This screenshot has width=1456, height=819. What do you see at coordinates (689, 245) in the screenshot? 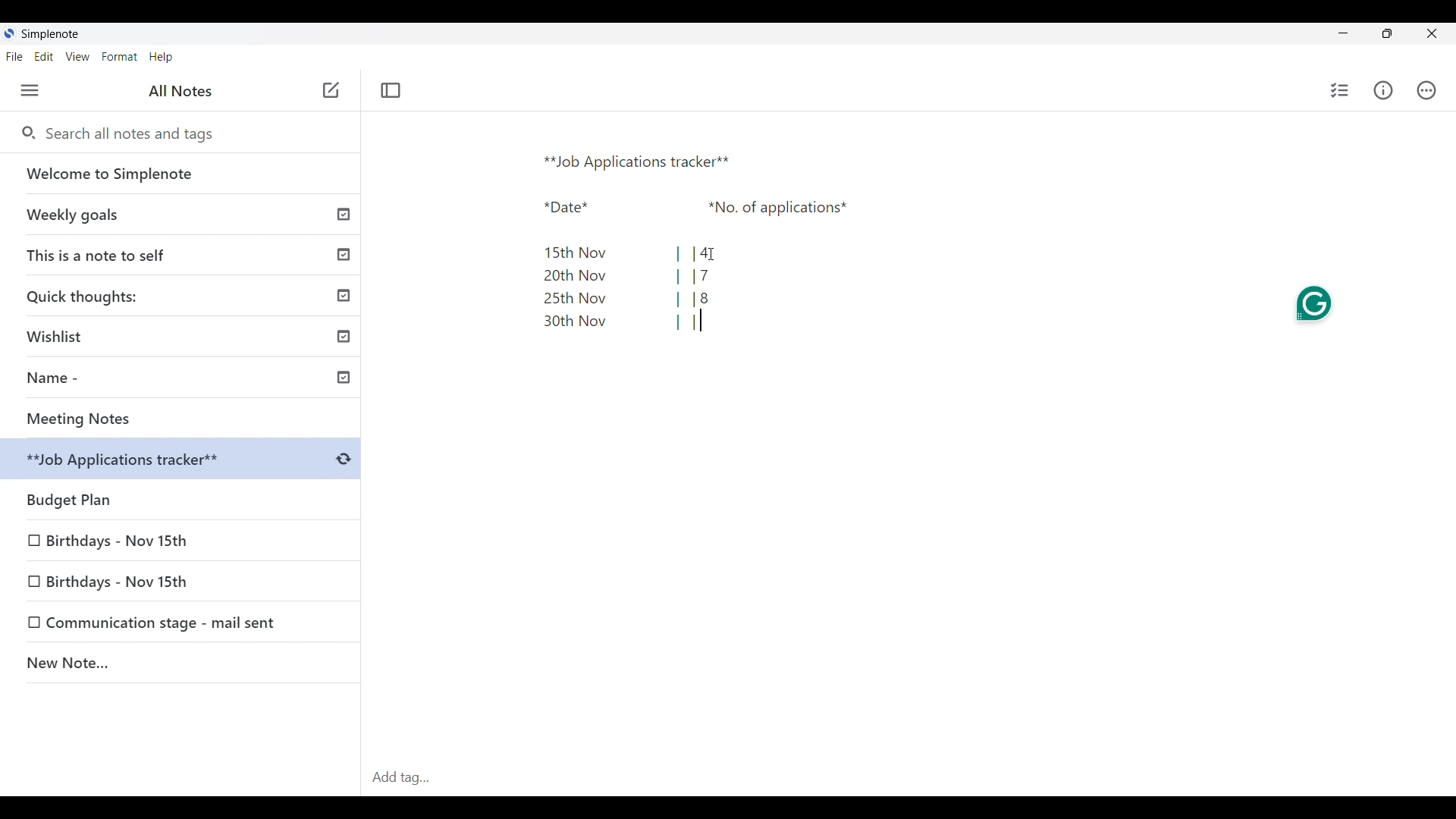
I see `Text pasted` at bounding box center [689, 245].